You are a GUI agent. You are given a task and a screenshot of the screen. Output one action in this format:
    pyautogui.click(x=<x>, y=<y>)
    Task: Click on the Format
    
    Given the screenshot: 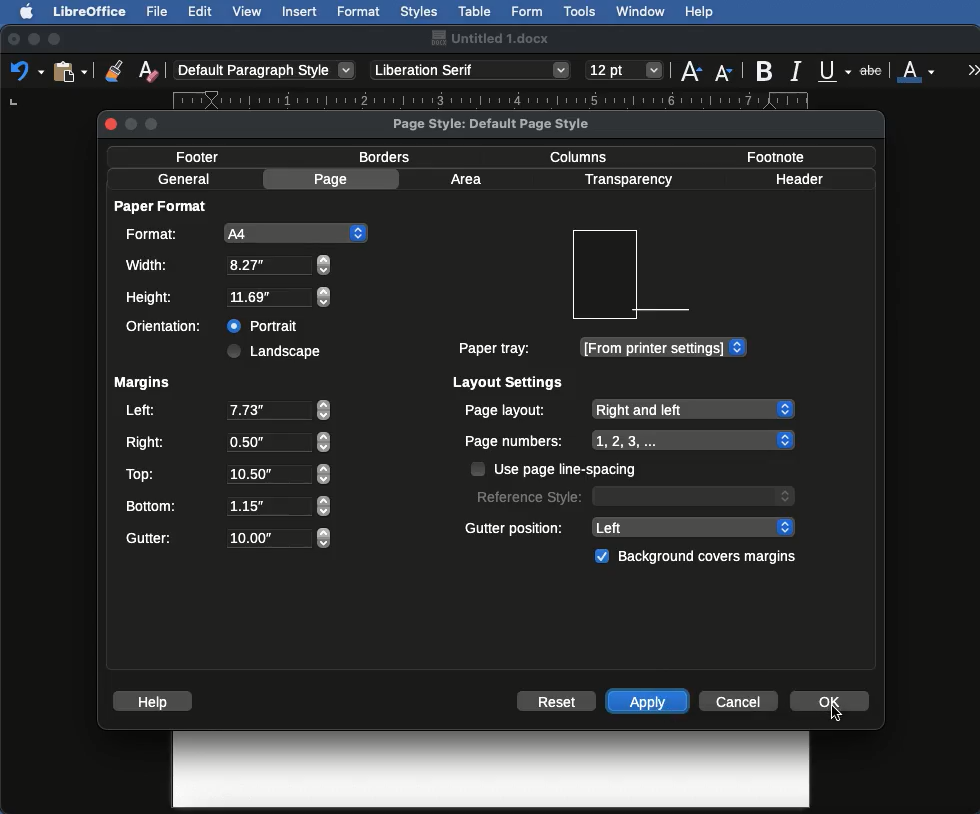 What is the action you would take?
    pyautogui.click(x=360, y=12)
    